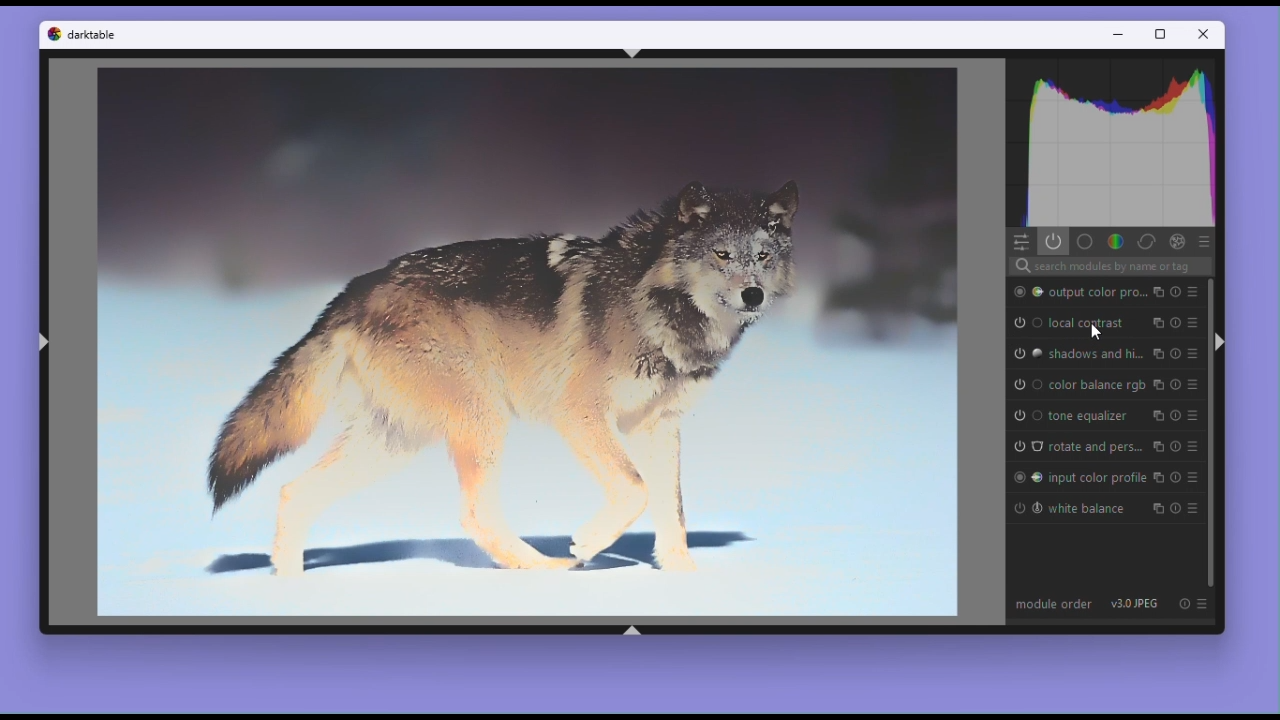 Image resolution: width=1280 pixels, height=720 pixels. Describe the element at coordinates (1177, 605) in the screenshot. I see `Reset` at that location.